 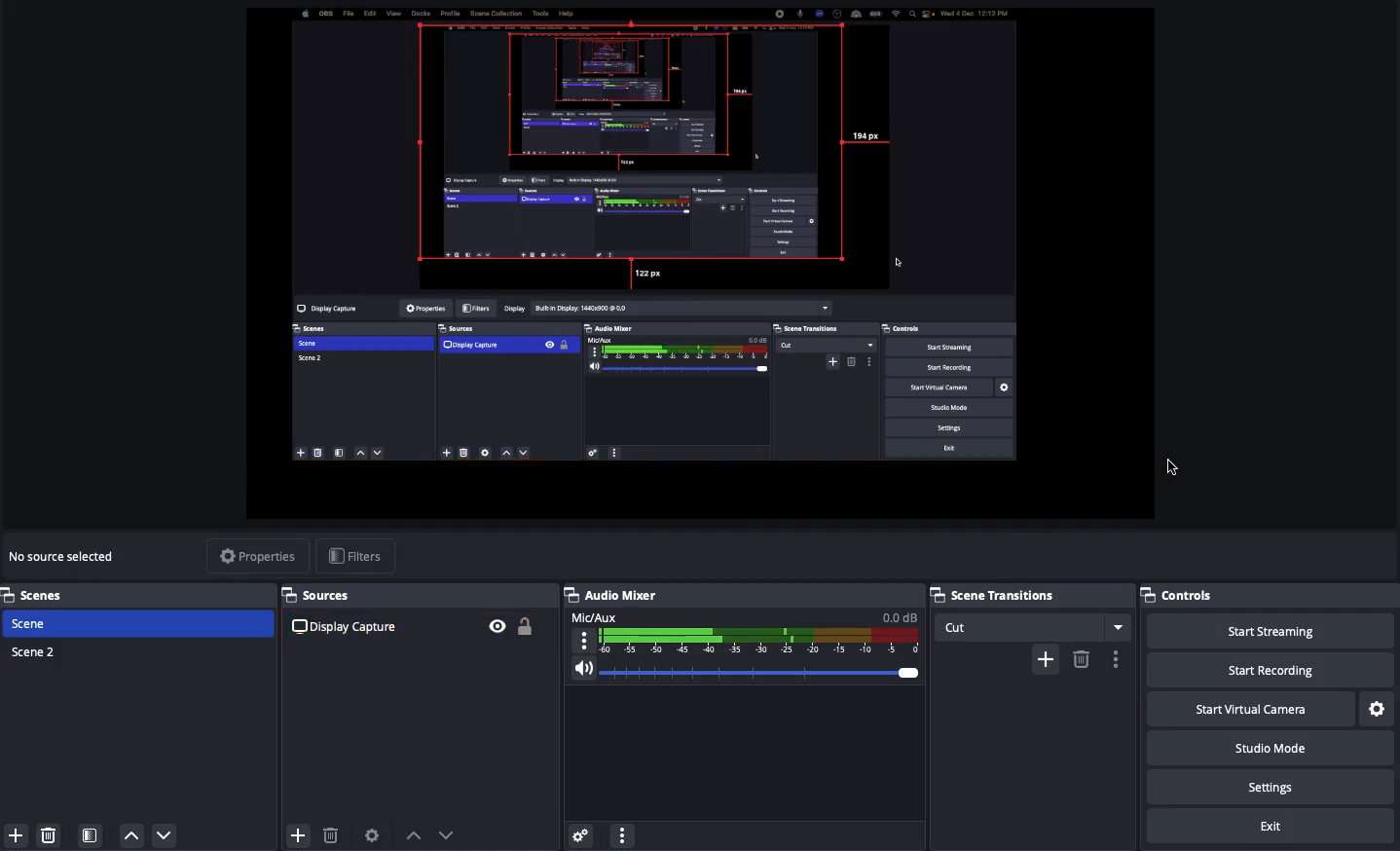 I want to click on Delete, so click(x=332, y=832).